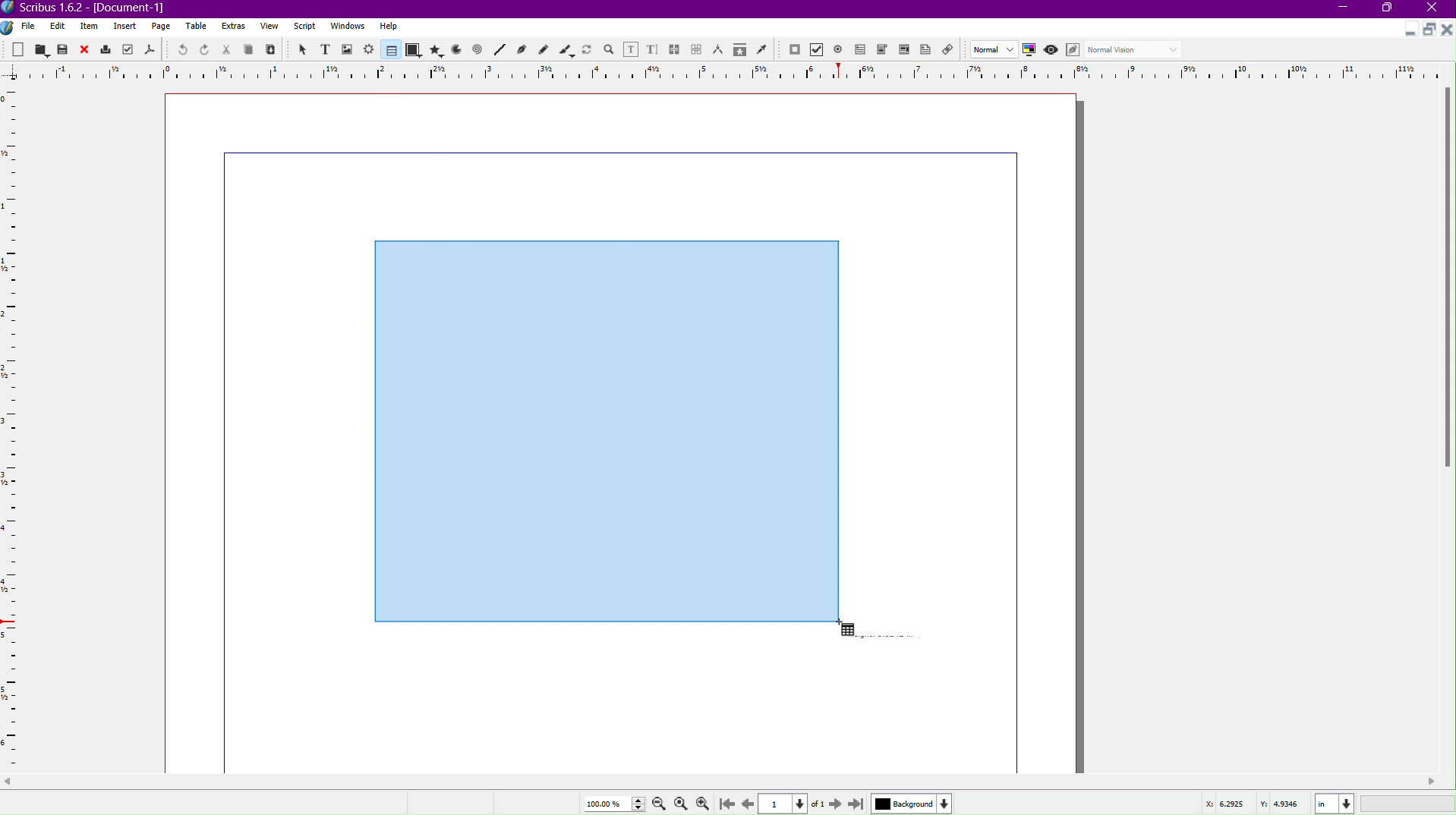 The height and width of the screenshot is (815, 1456). I want to click on New, so click(19, 49).